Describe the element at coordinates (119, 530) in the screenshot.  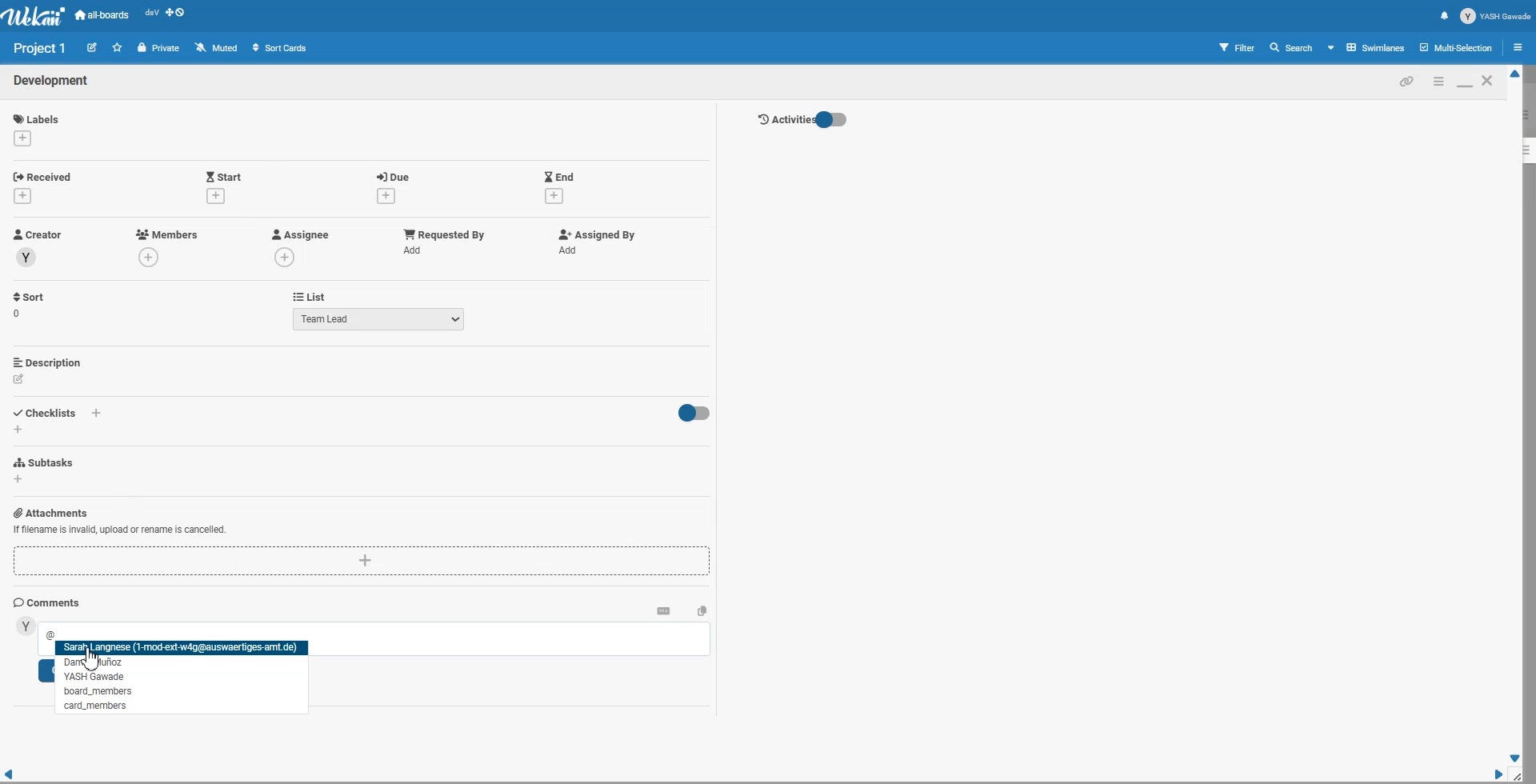
I see `Add Attachments` at that location.